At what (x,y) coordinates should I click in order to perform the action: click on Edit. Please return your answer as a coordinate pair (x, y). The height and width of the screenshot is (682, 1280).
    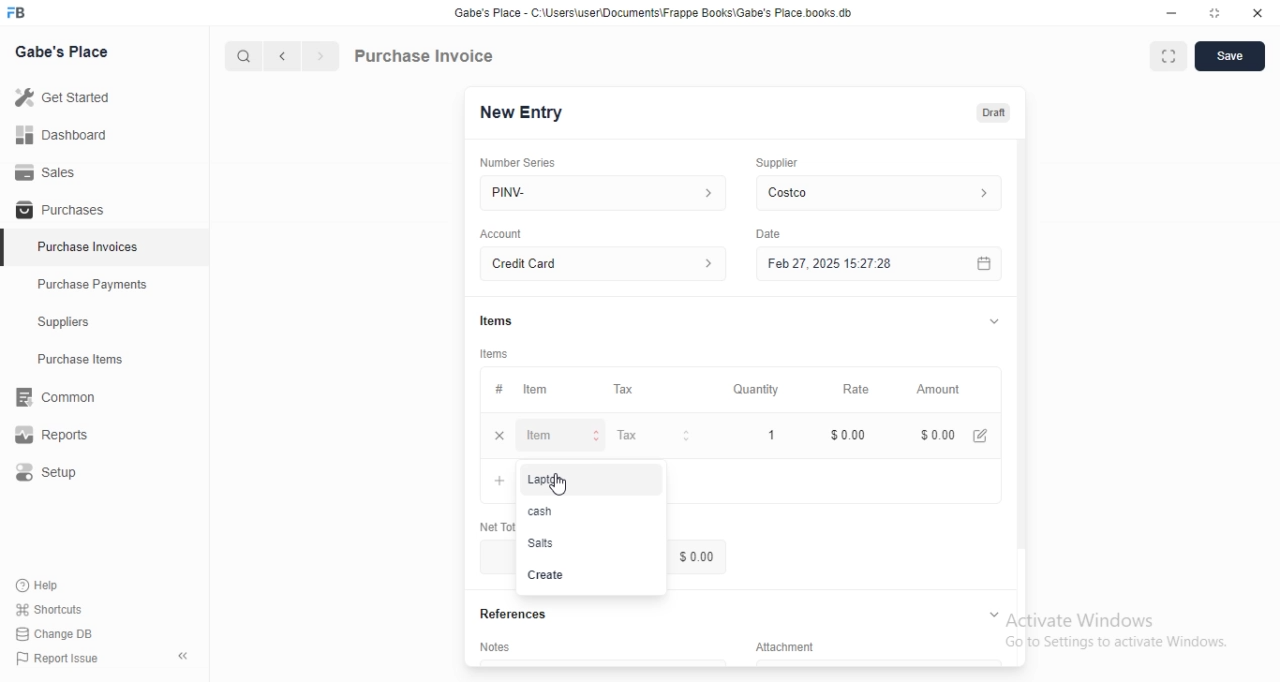
    Looking at the image, I should click on (980, 436).